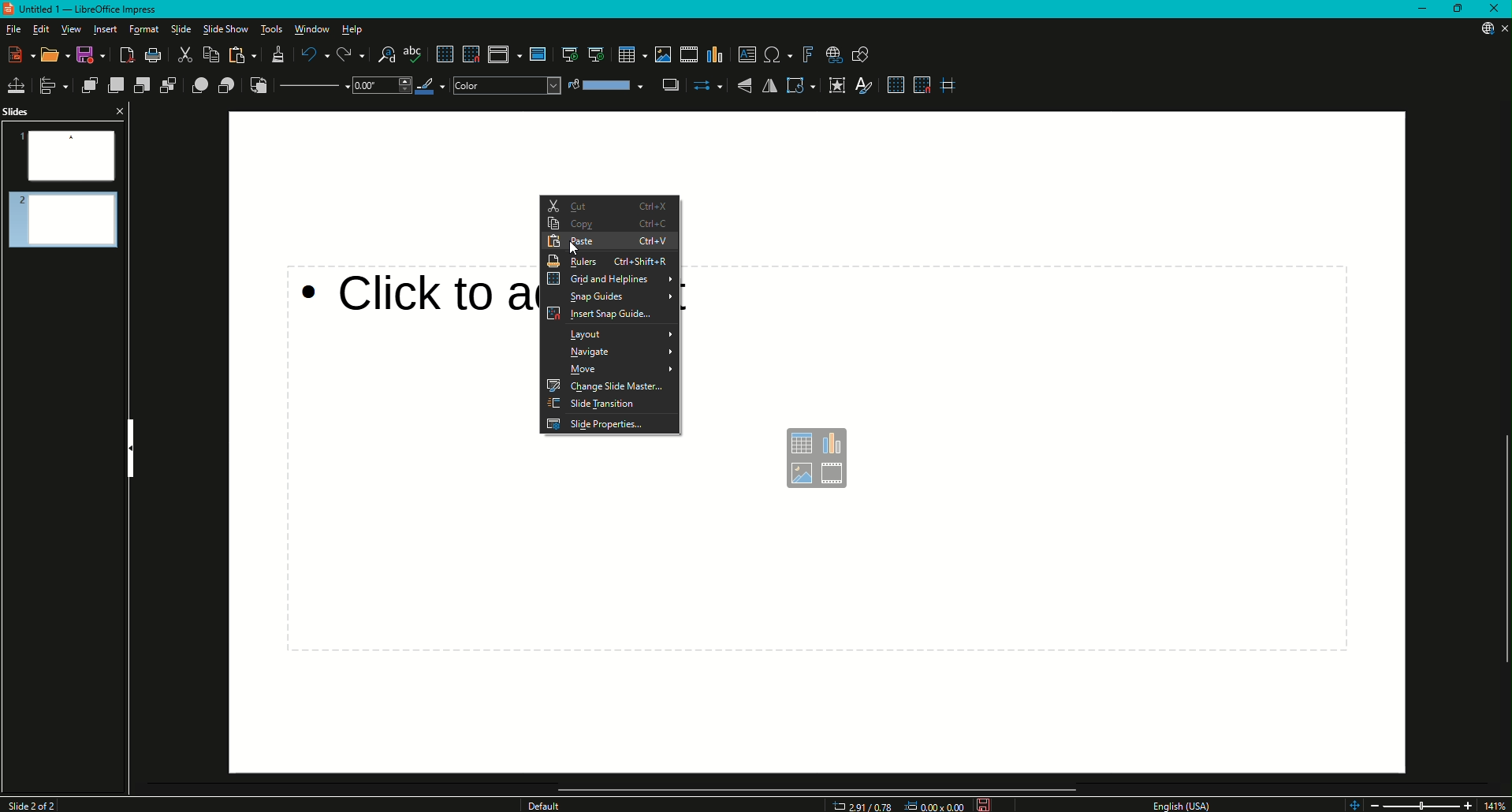 Image resolution: width=1512 pixels, height=812 pixels. I want to click on Table, so click(628, 52).